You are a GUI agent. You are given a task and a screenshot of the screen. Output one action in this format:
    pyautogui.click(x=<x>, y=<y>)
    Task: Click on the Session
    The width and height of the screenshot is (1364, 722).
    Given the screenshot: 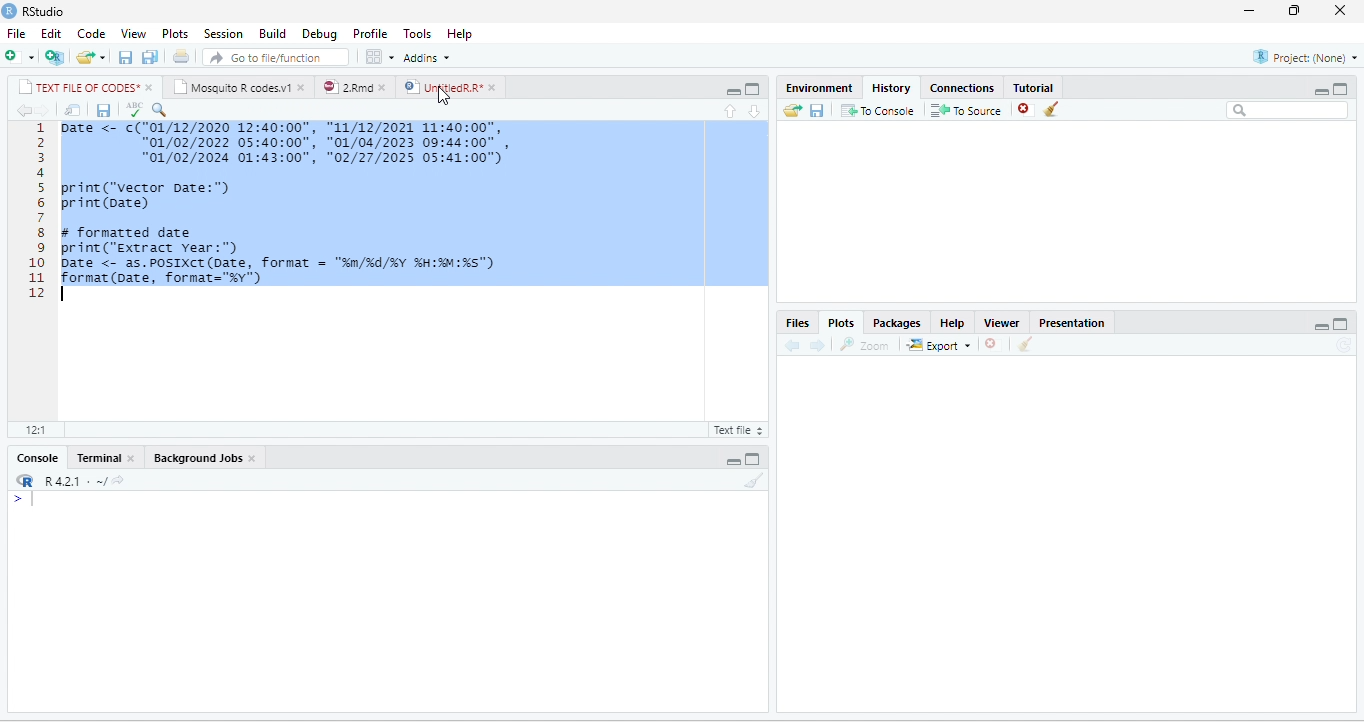 What is the action you would take?
    pyautogui.click(x=224, y=33)
    